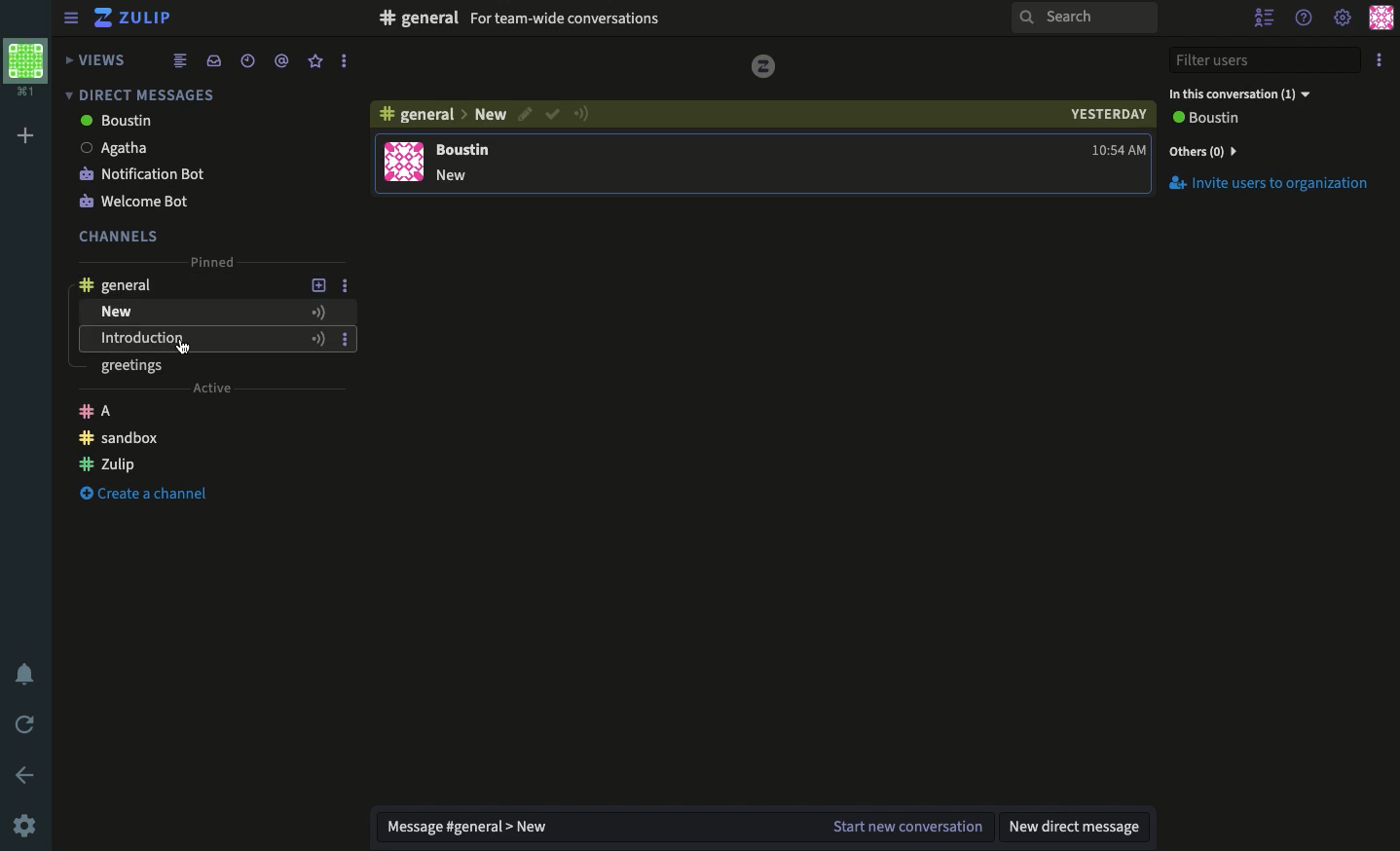 The width and height of the screenshot is (1400, 851). Describe the element at coordinates (98, 59) in the screenshot. I see `Views` at that location.